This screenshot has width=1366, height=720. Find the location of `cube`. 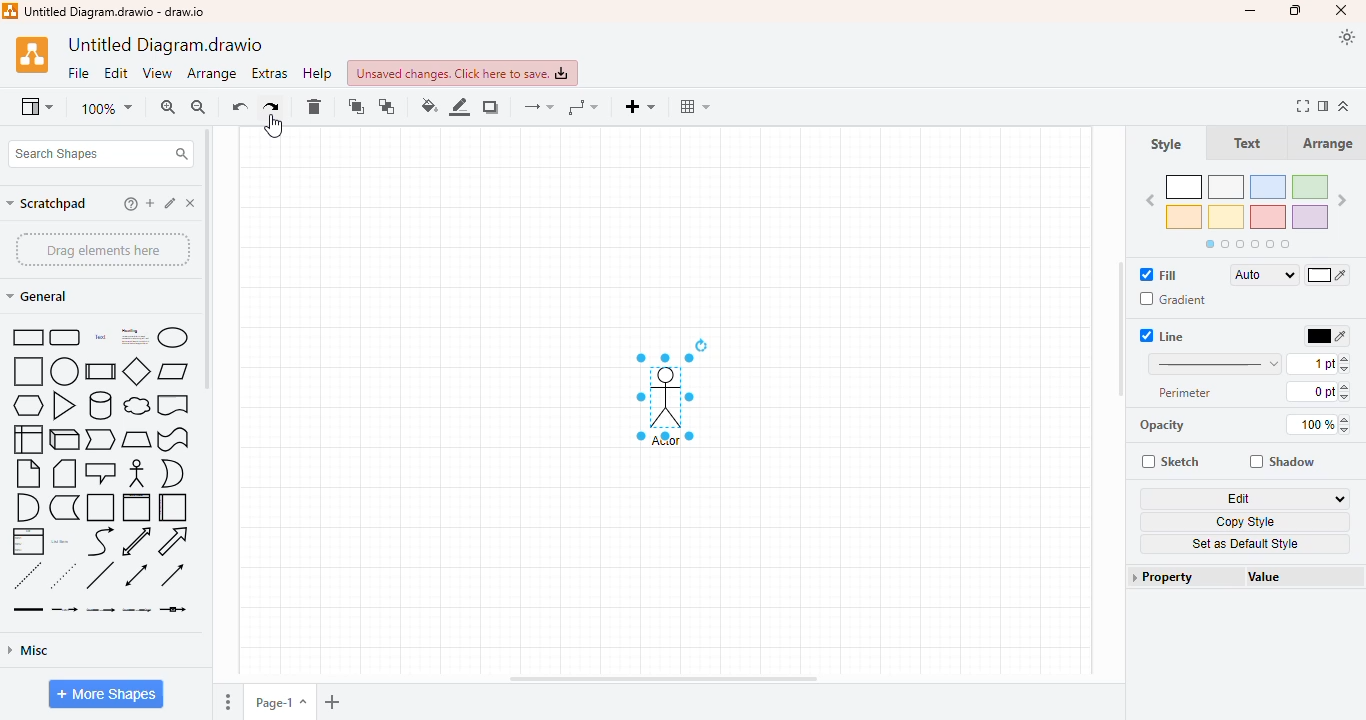

cube is located at coordinates (65, 440).